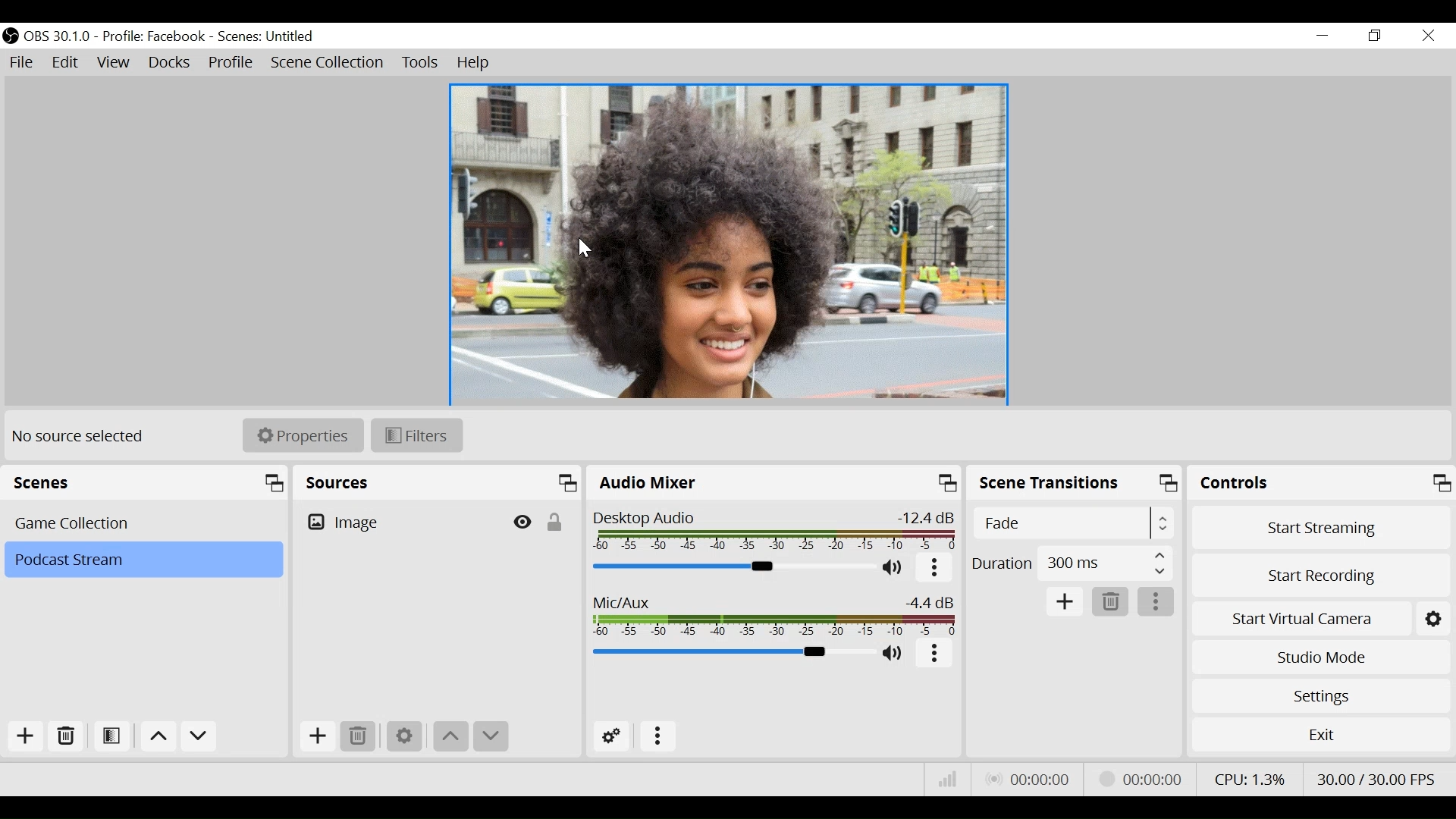  I want to click on (un)mute, so click(894, 654).